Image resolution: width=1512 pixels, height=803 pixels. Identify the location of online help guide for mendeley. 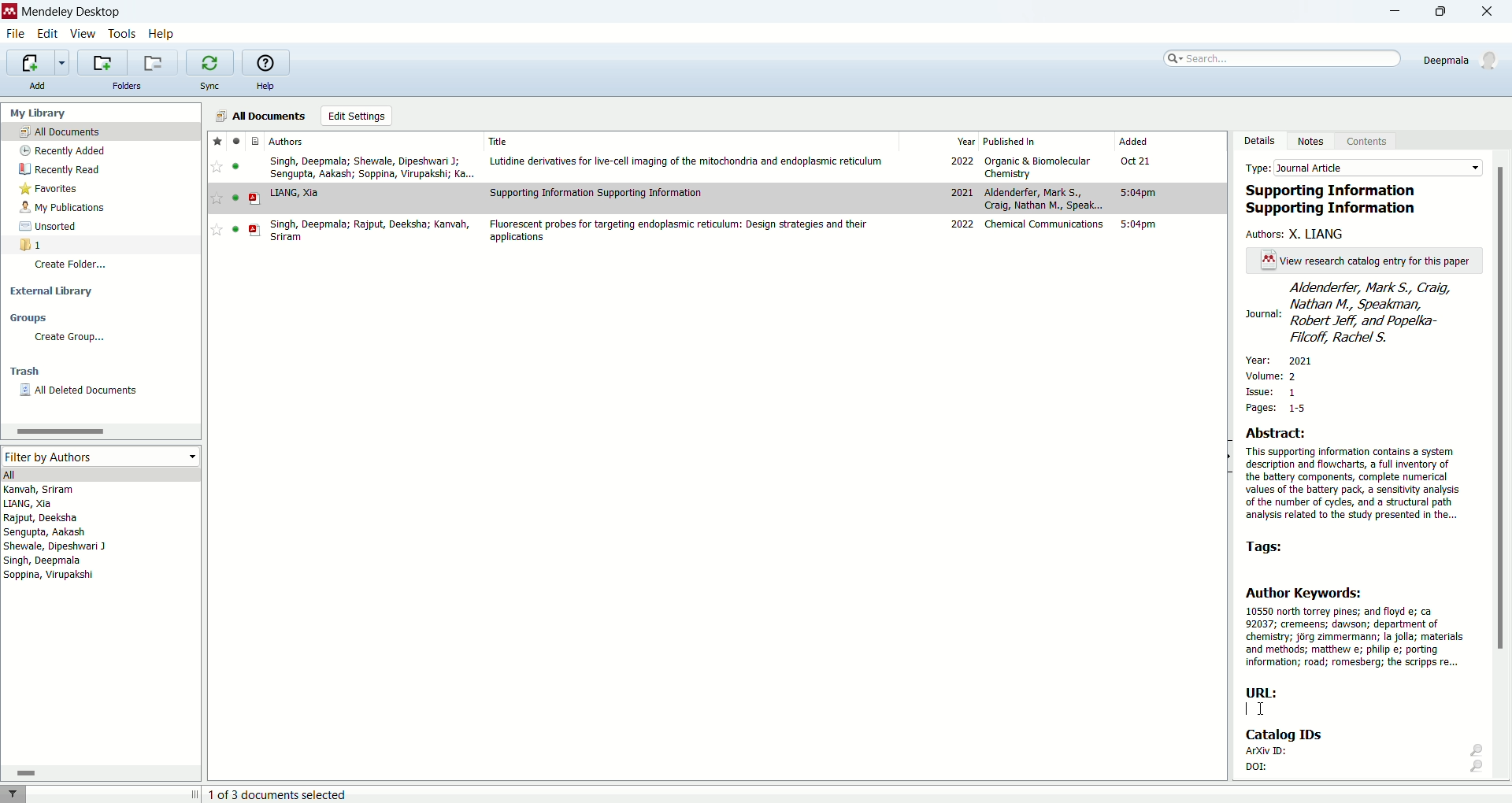
(266, 61).